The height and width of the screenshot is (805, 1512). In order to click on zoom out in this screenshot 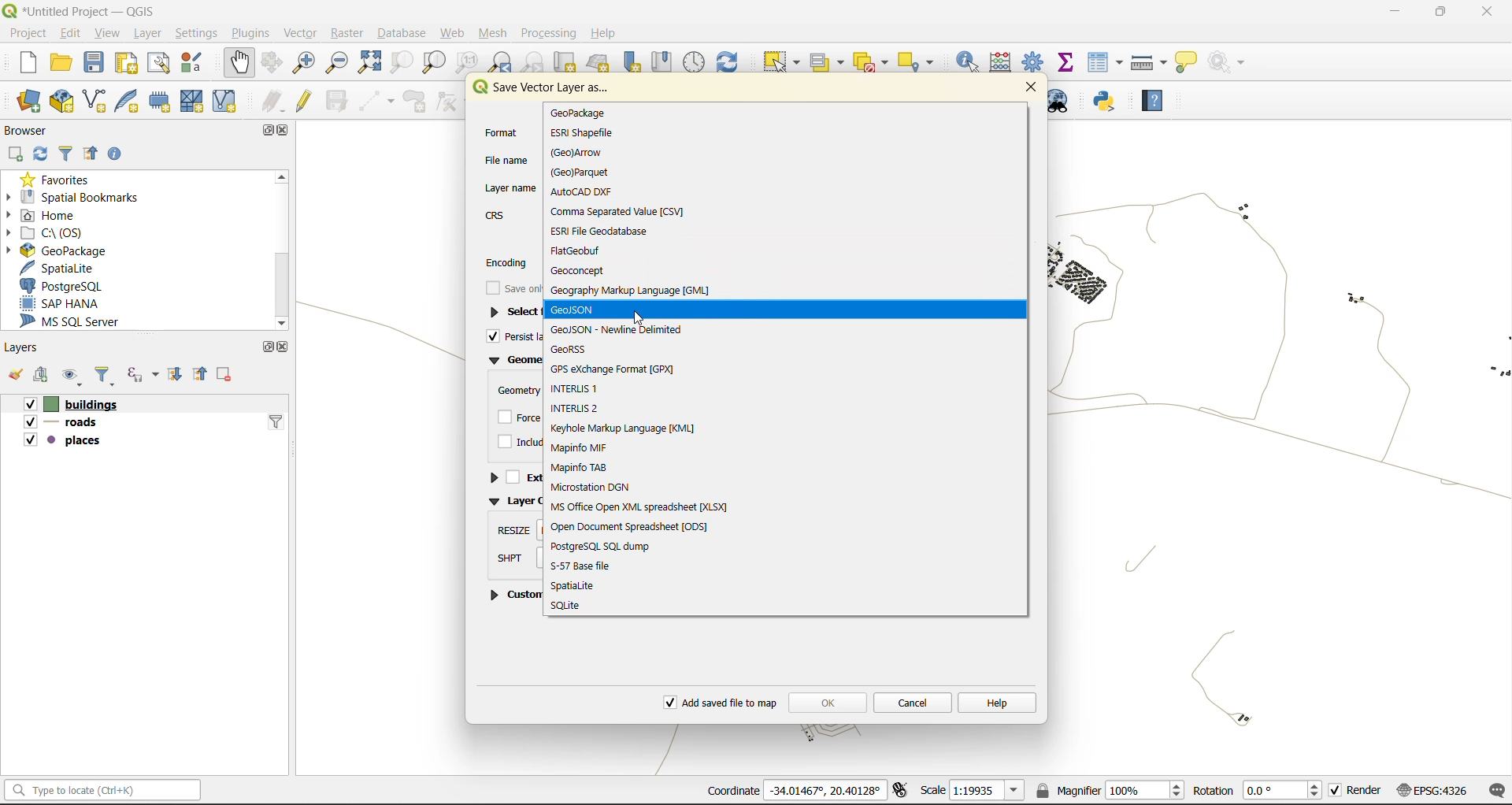, I will do `click(339, 63)`.